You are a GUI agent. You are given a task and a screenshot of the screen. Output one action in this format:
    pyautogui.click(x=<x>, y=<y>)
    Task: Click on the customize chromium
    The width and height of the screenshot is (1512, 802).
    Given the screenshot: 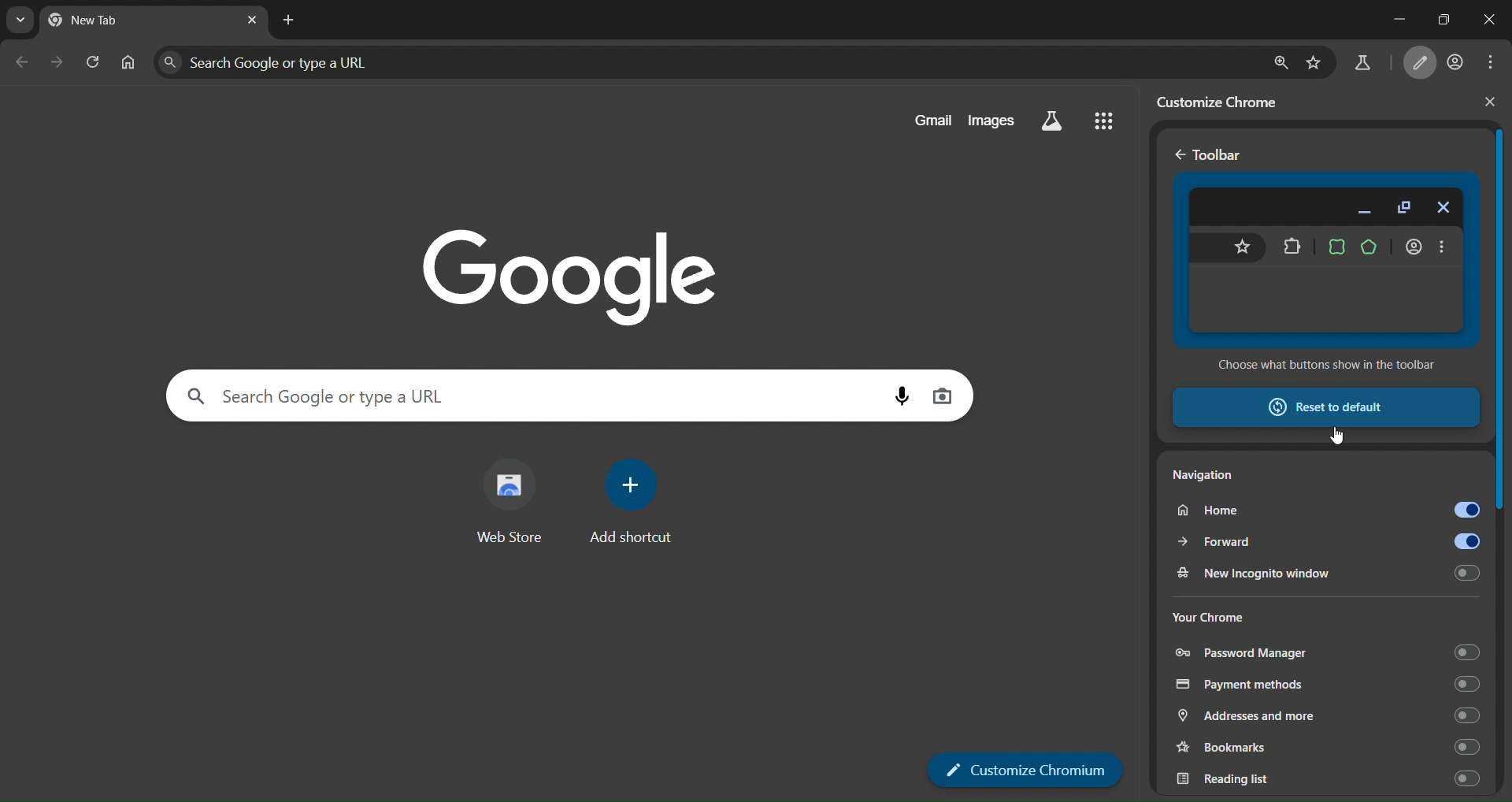 What is the action you would take?
    pyautogui.click(x=1026, y=770)
    